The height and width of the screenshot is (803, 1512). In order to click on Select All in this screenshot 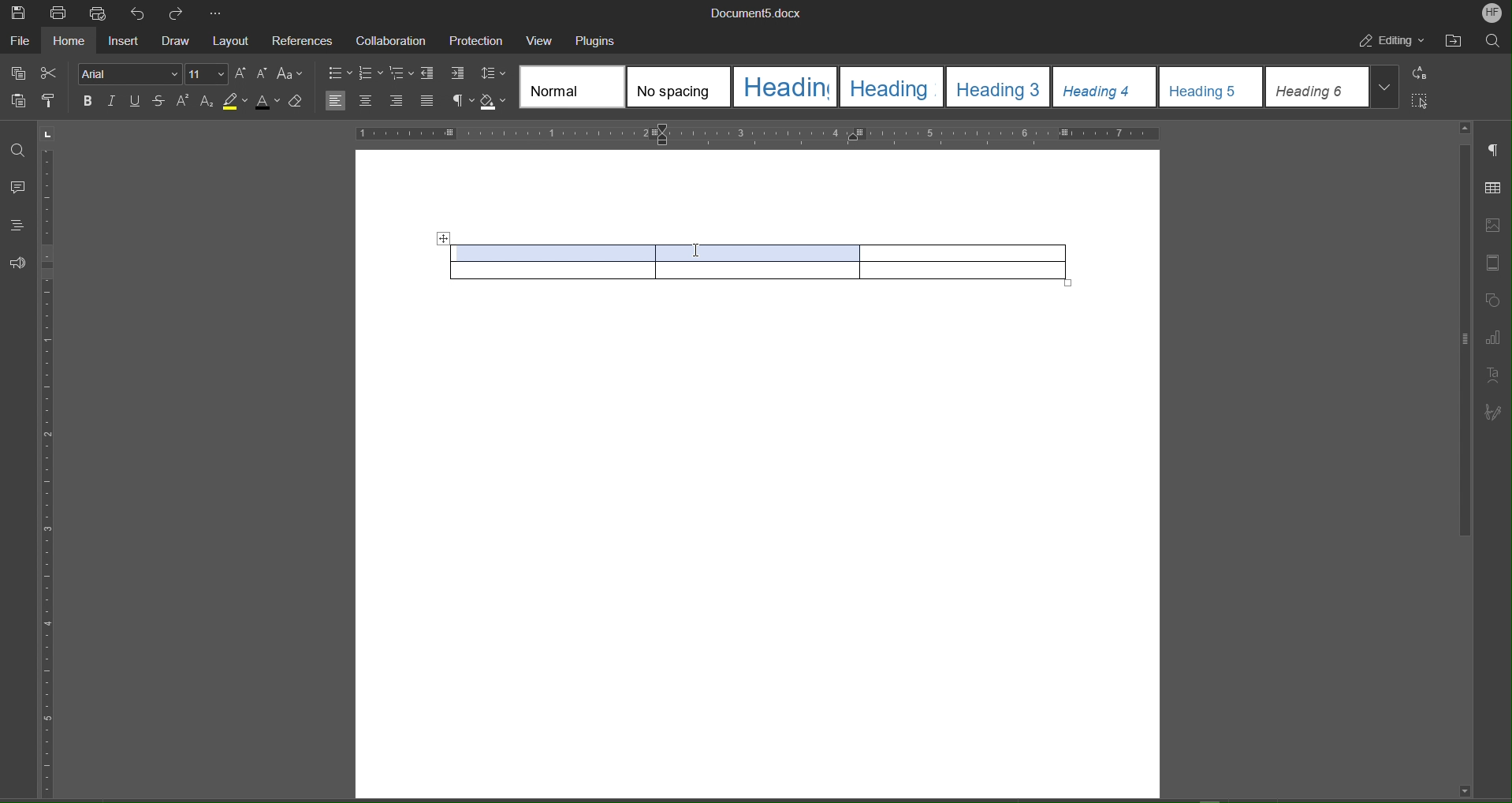, I will do `click(1424, 101)`.